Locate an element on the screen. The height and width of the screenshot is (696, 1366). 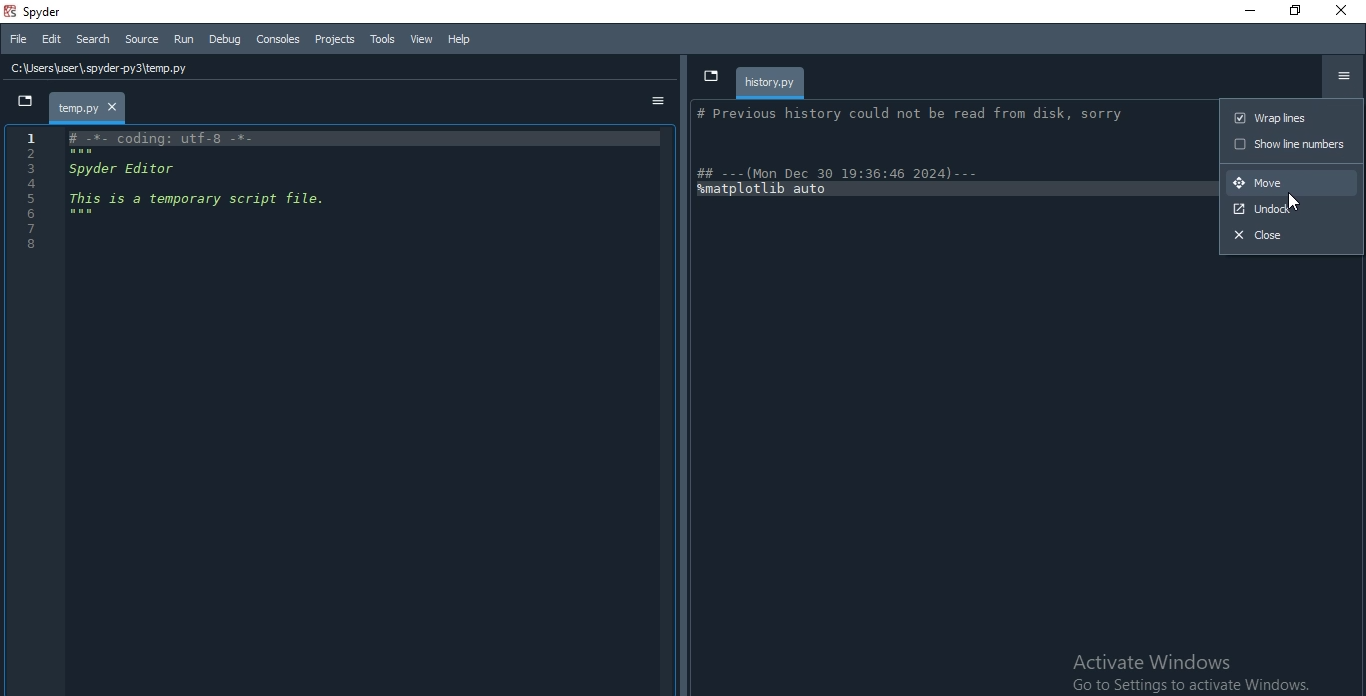
file history is located at coordinates (170, 66).